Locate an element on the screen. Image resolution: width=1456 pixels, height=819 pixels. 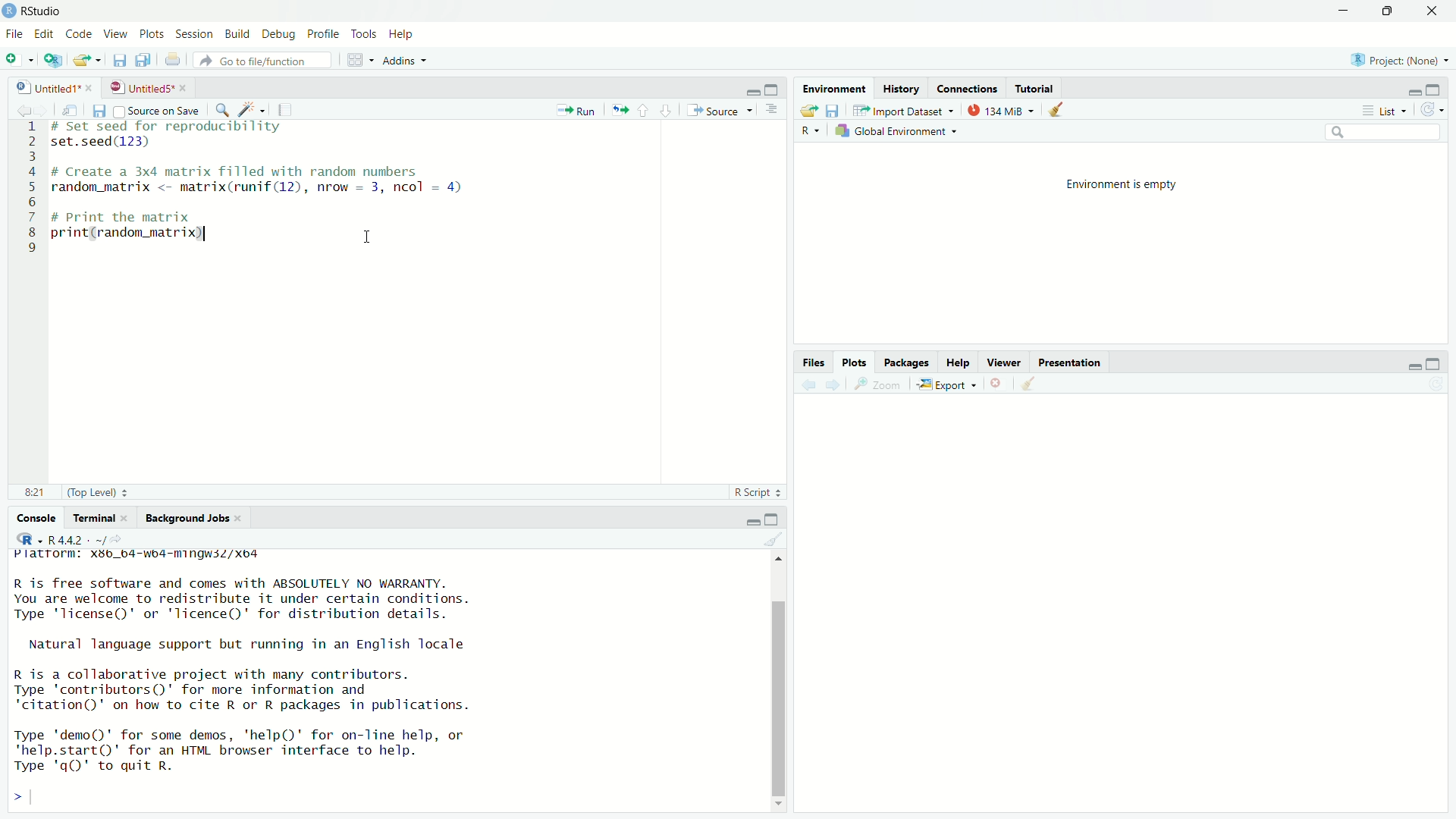
back is located at coordinates (21, 107).